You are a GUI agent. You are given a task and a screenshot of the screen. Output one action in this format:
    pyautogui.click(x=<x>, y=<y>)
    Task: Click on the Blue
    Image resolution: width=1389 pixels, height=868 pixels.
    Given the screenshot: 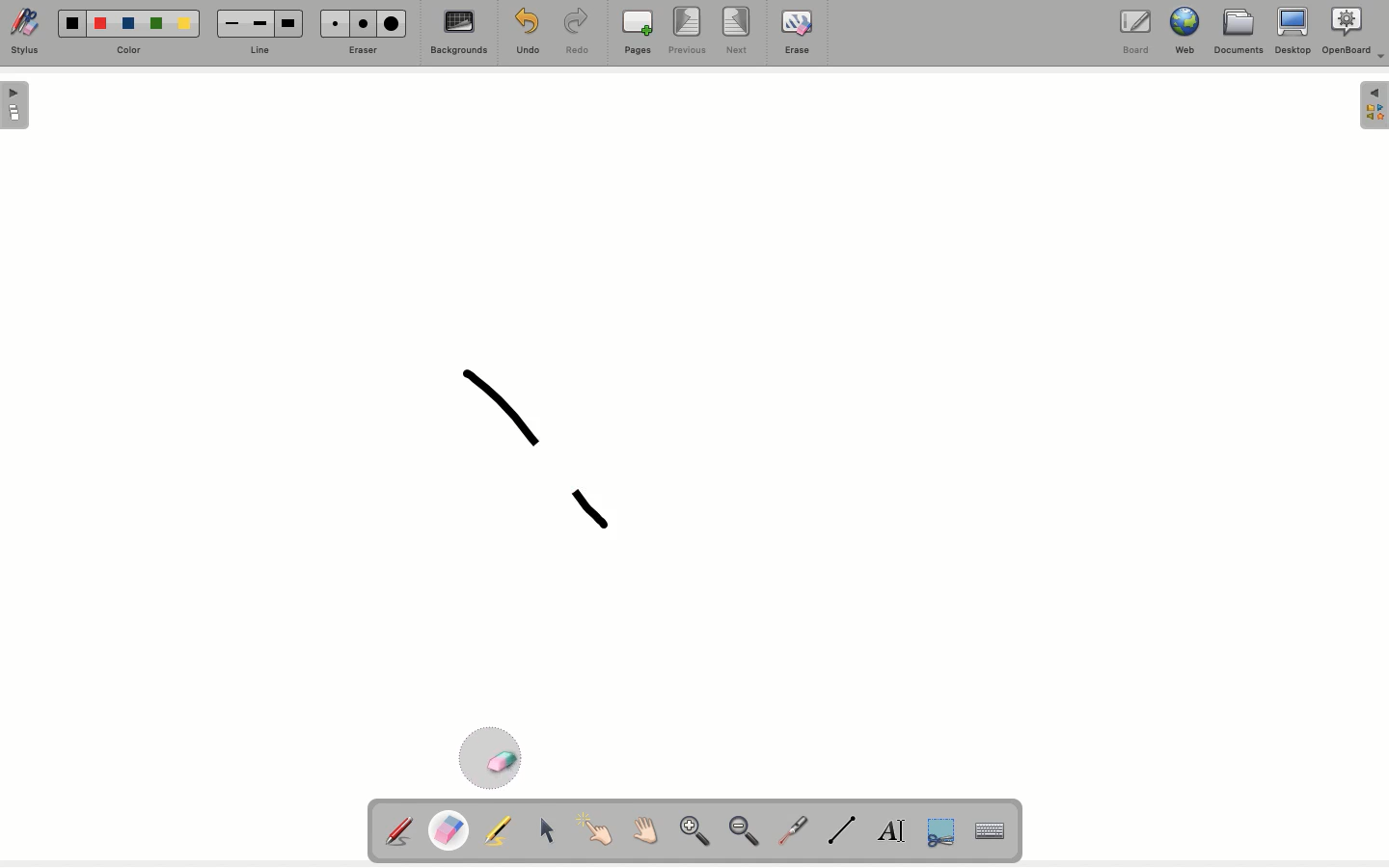 What is the action you would take?
    pyautogui.click(x=128, y=20)
    